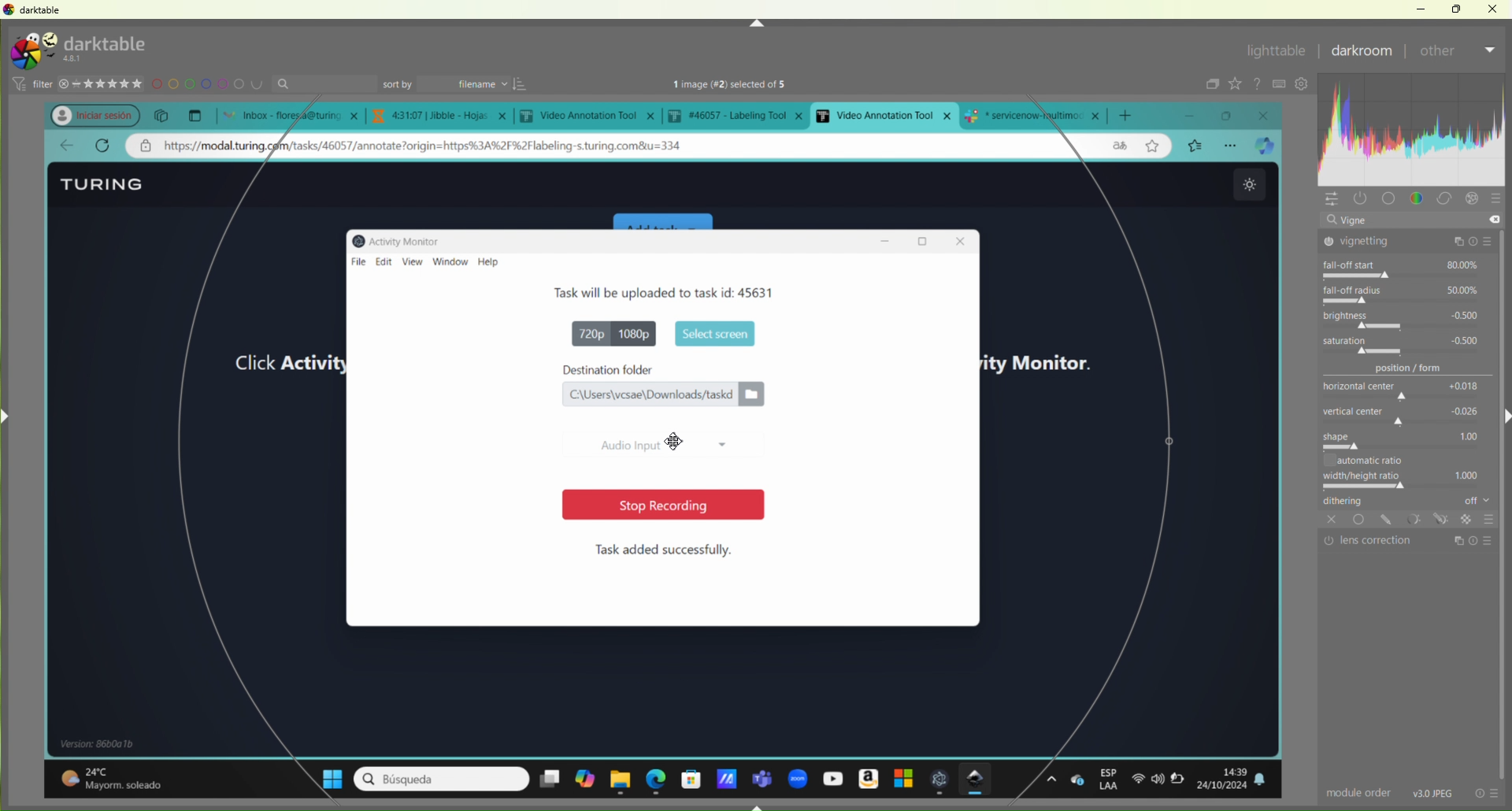 The width and height of the screenshot is (1512, 811). What do you see at coordinates (1402, 501) in the screenshot?
I see `dithering` at bounding box center [1402, 501].